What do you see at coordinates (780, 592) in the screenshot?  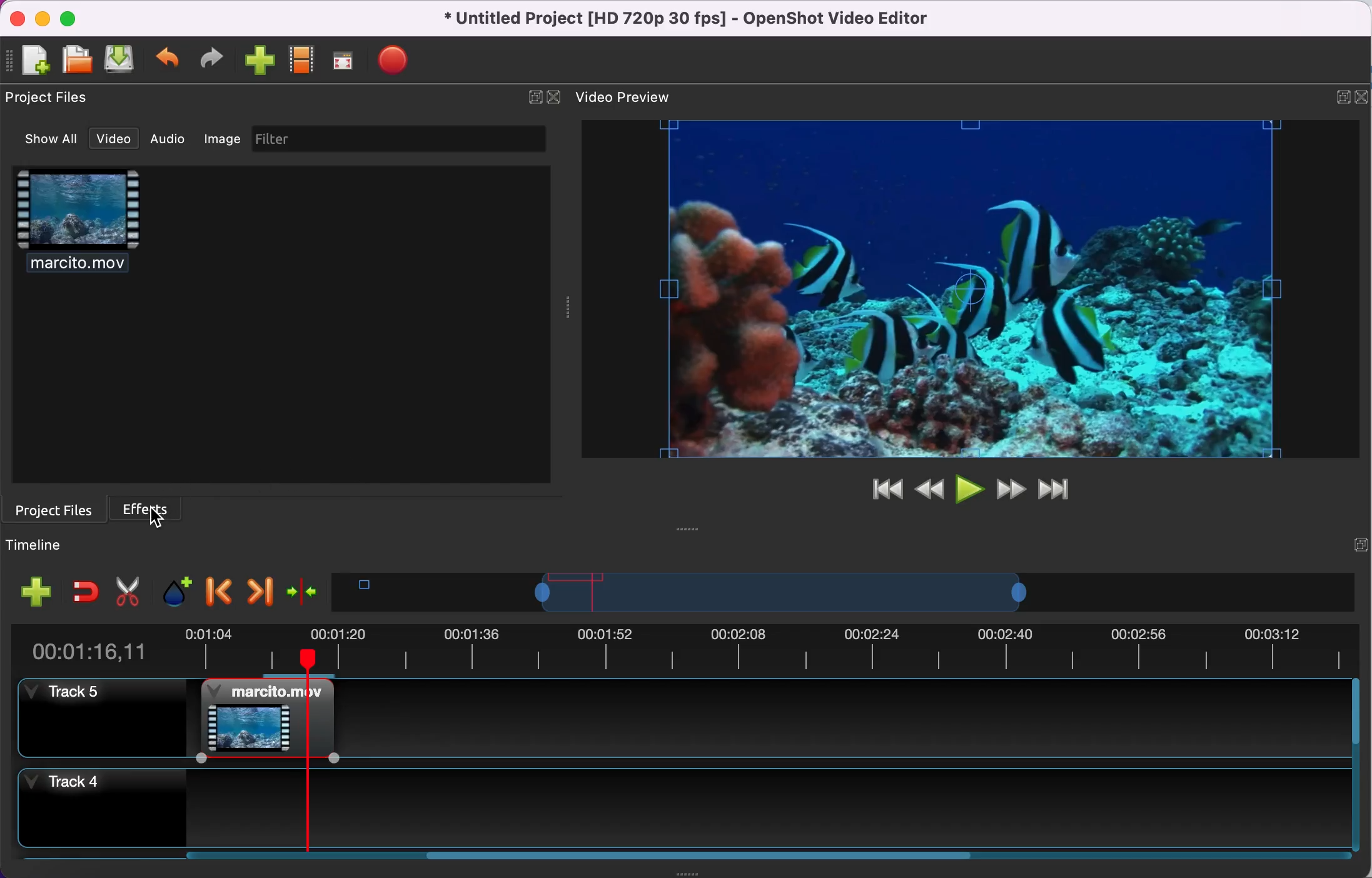 I see `timeline` at bounding box center [780, 592].